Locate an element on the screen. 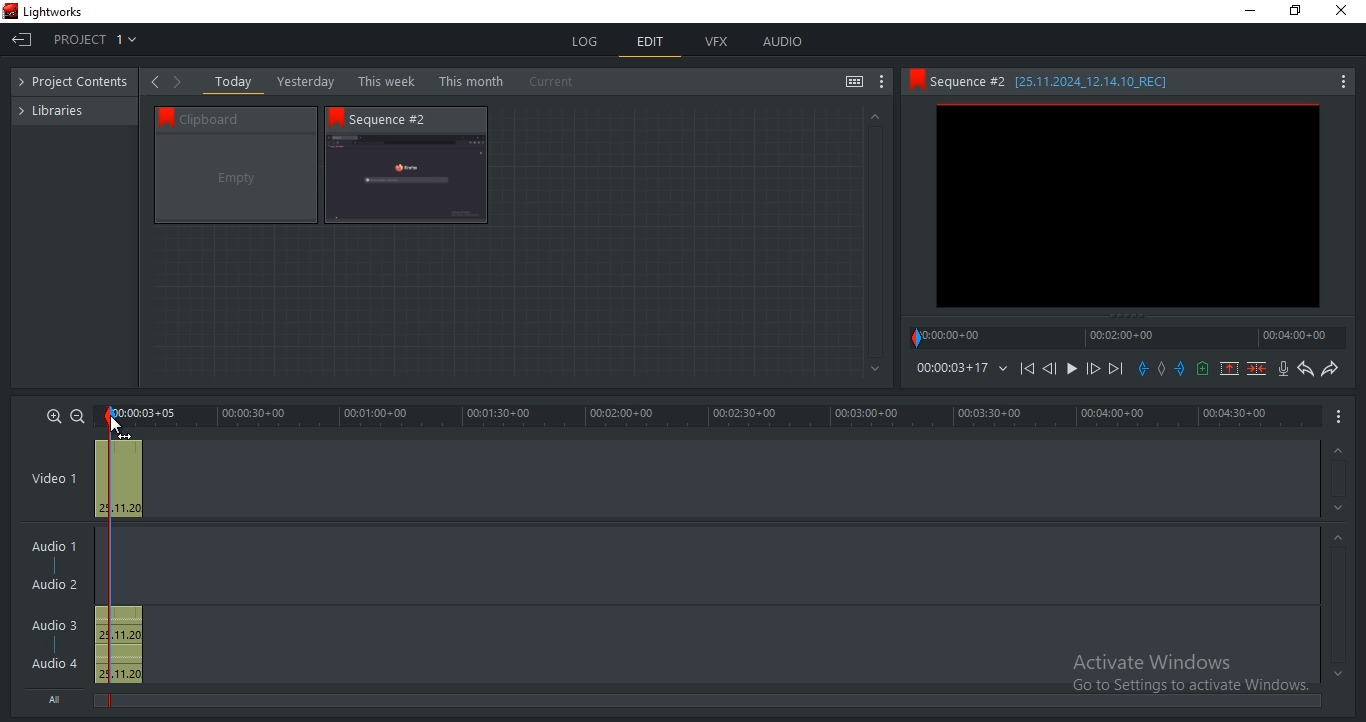 Image resolution: width=1366 pixels, height=722 pixels. mark out is located at coordinates (1182, 368).